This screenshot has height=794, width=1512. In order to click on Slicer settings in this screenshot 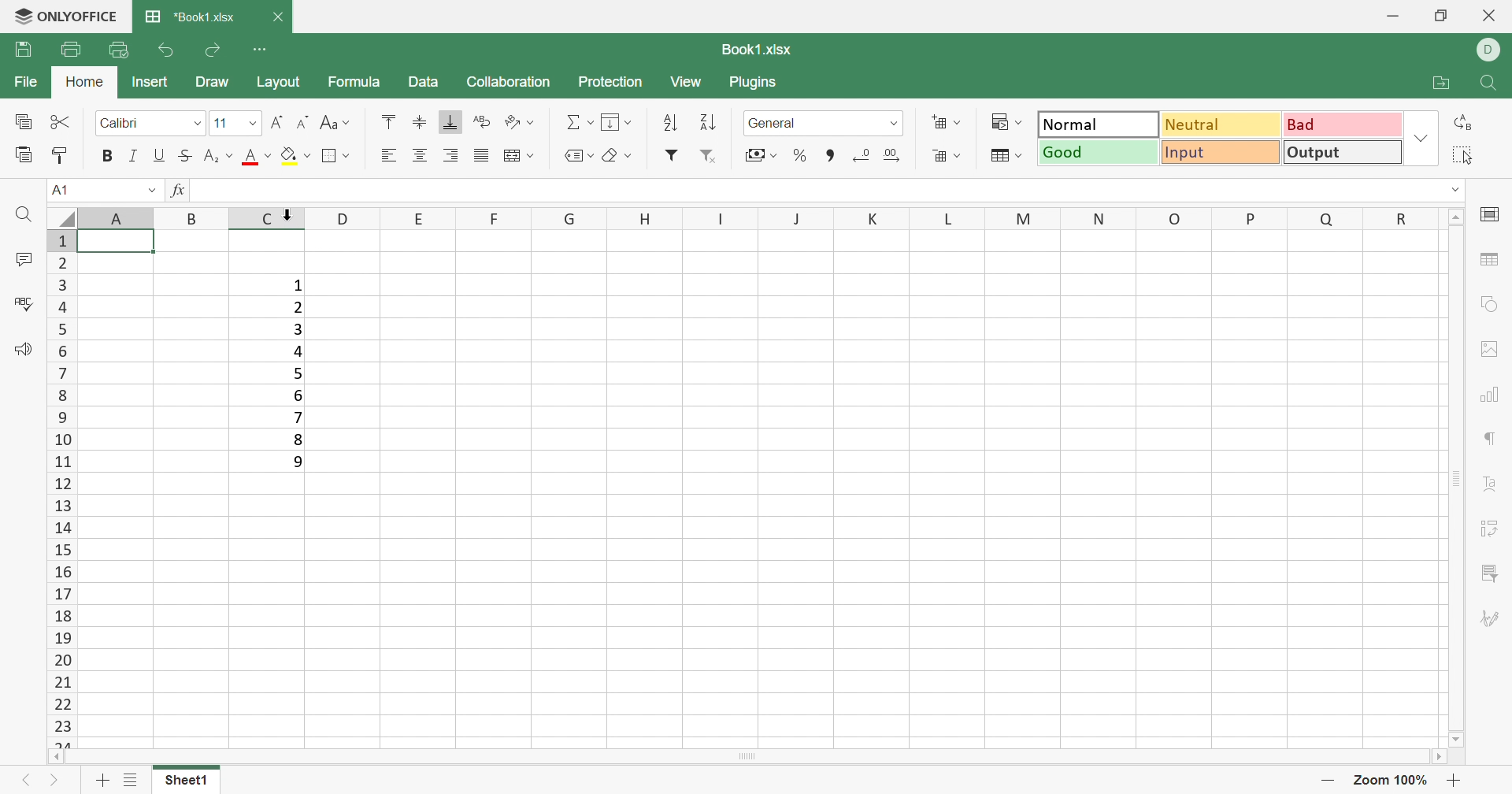, I will do `click(1494, 570)`.